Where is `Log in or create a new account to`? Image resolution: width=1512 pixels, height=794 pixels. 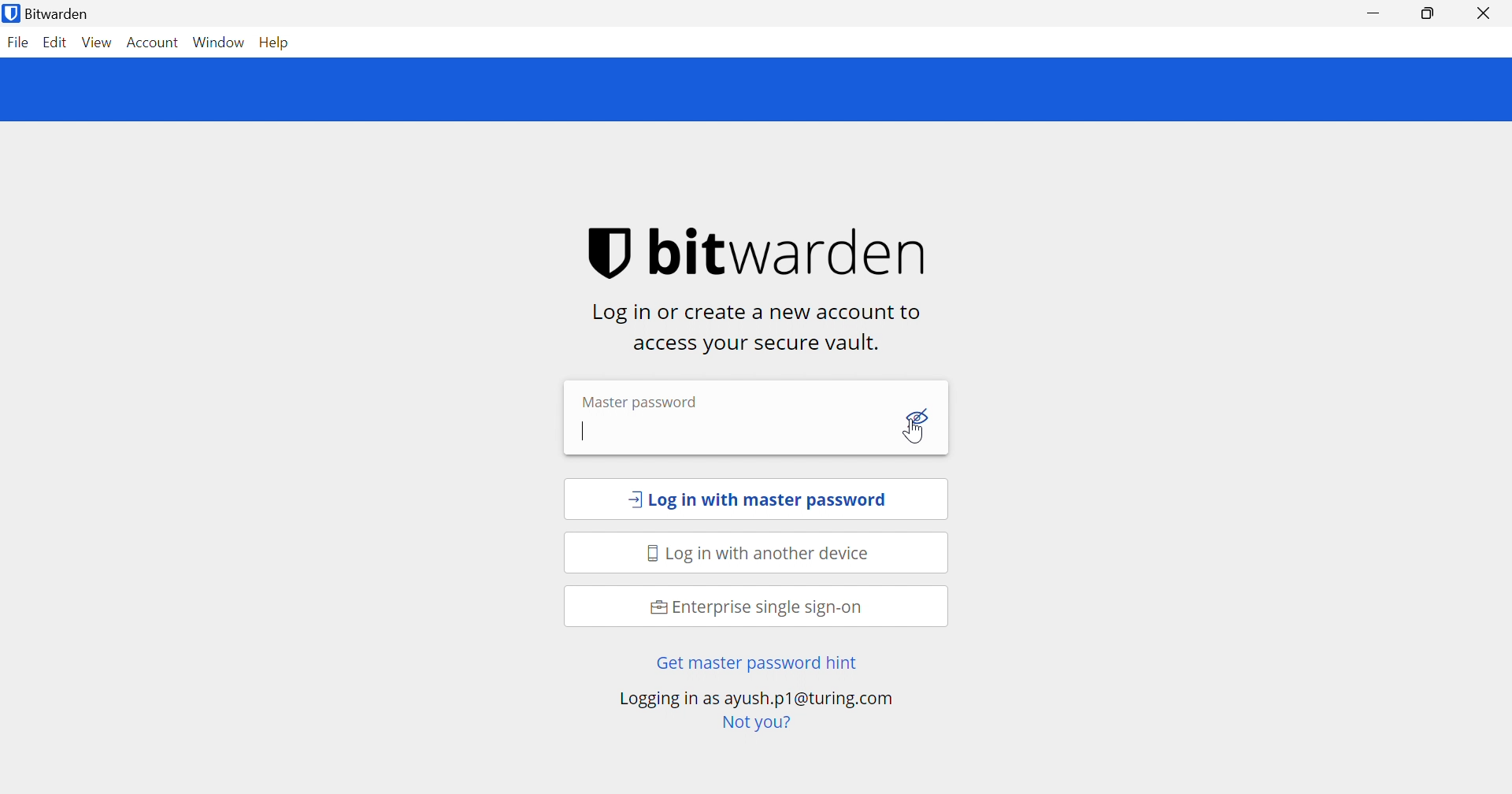 Log in or create a new account to is located at coordinates (762, 313).